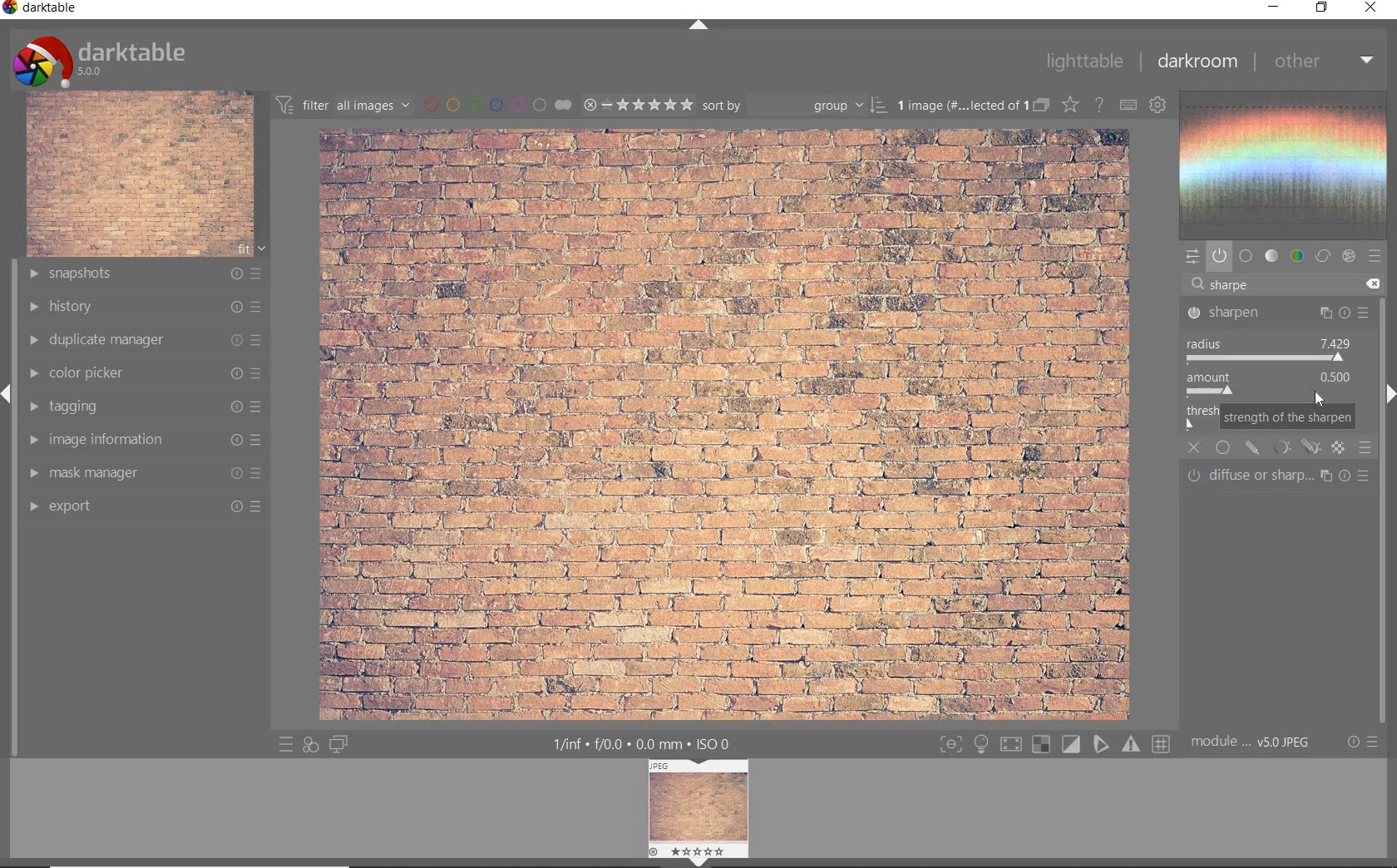  I want to click on next, so click(1389, 394).